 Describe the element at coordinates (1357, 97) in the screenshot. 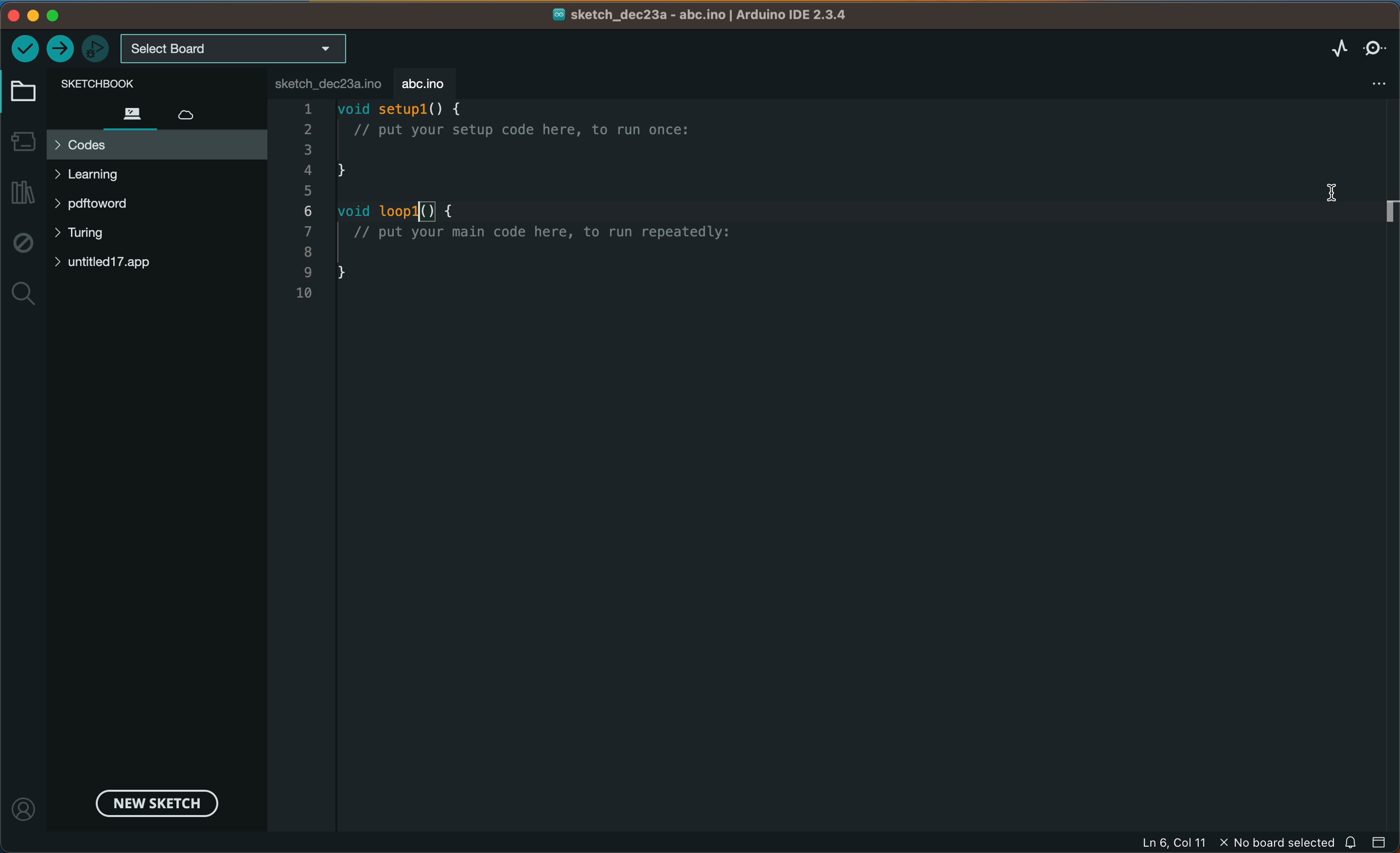

I see `file settings` at that location.